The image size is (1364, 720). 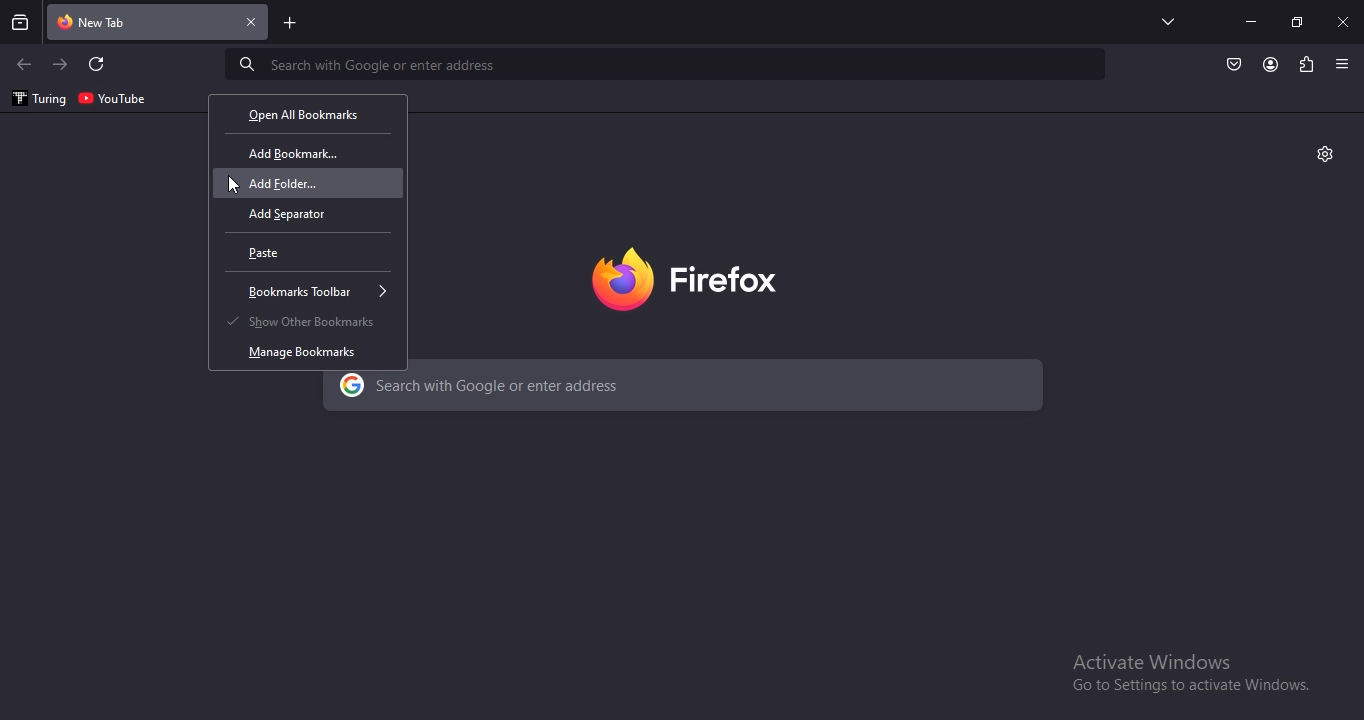 I want to click on new tab, so click(x=291, y=25).